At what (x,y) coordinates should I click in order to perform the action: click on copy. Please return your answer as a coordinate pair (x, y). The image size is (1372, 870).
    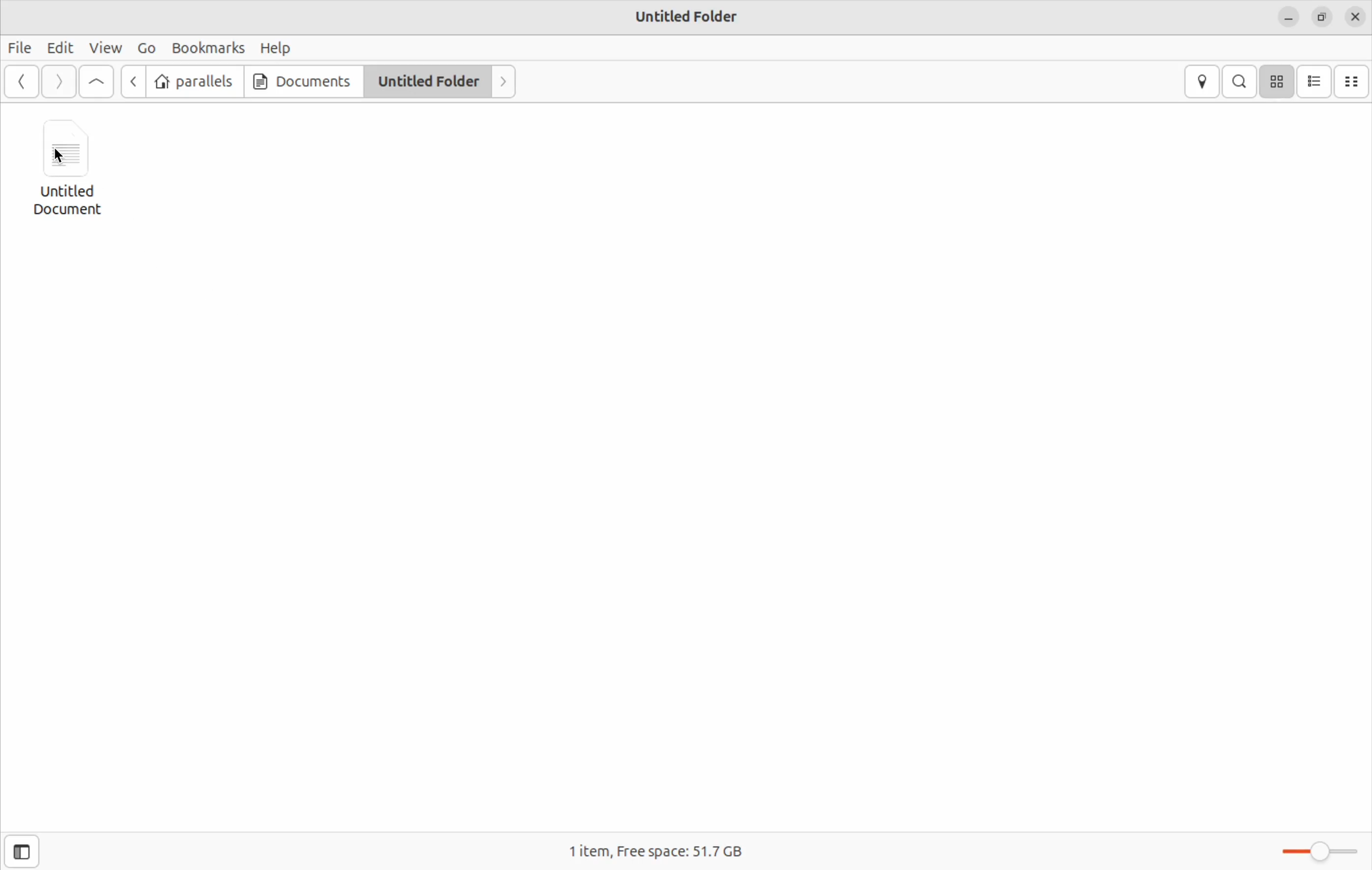
    Looking at the image, I should click on (1322, 19).